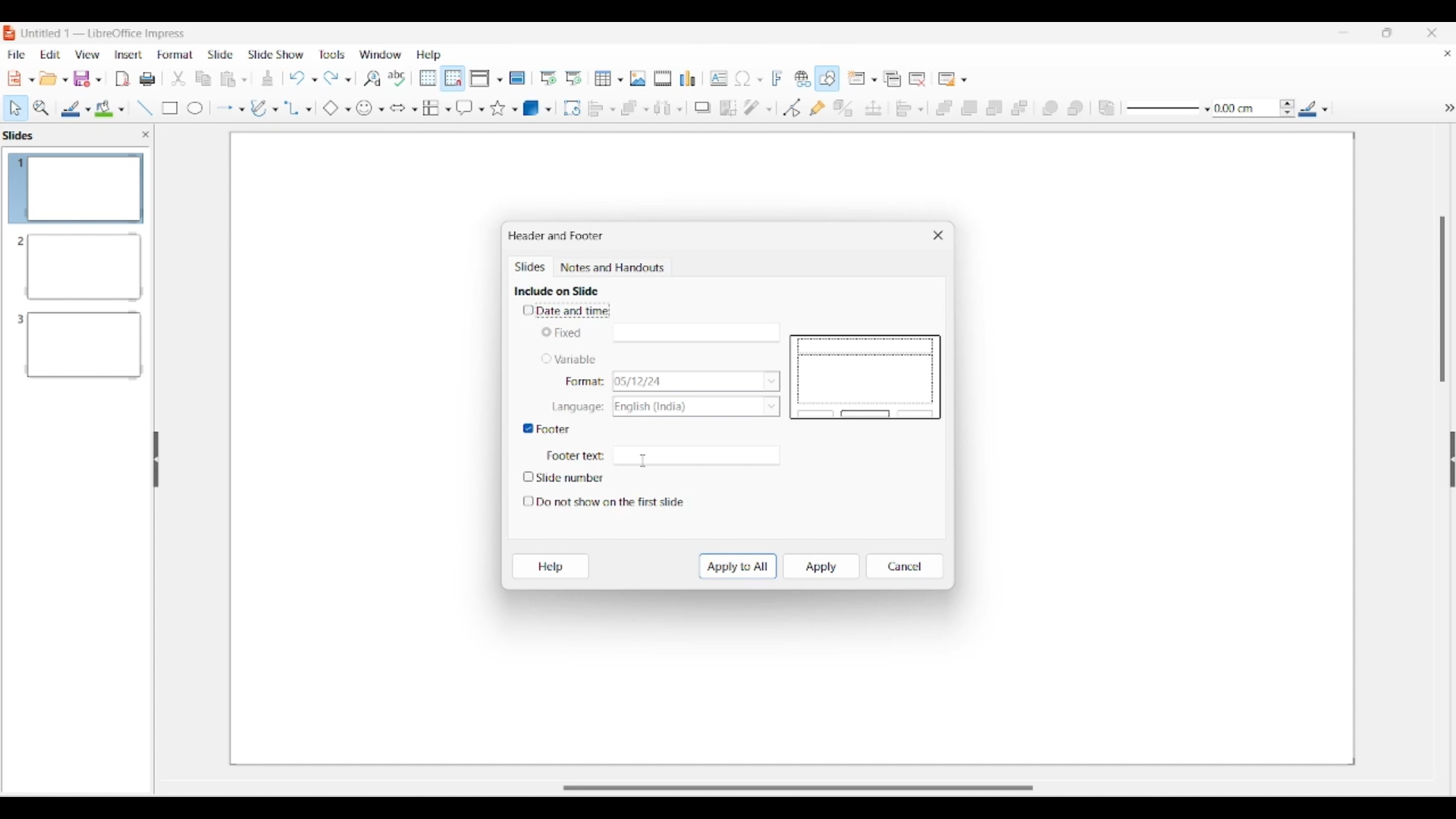 The height and width of the screenshot is (819, 1456). Describe the element at coordinates (803, 78) in the screenshot. I see `Insert hyperlink` at that location.